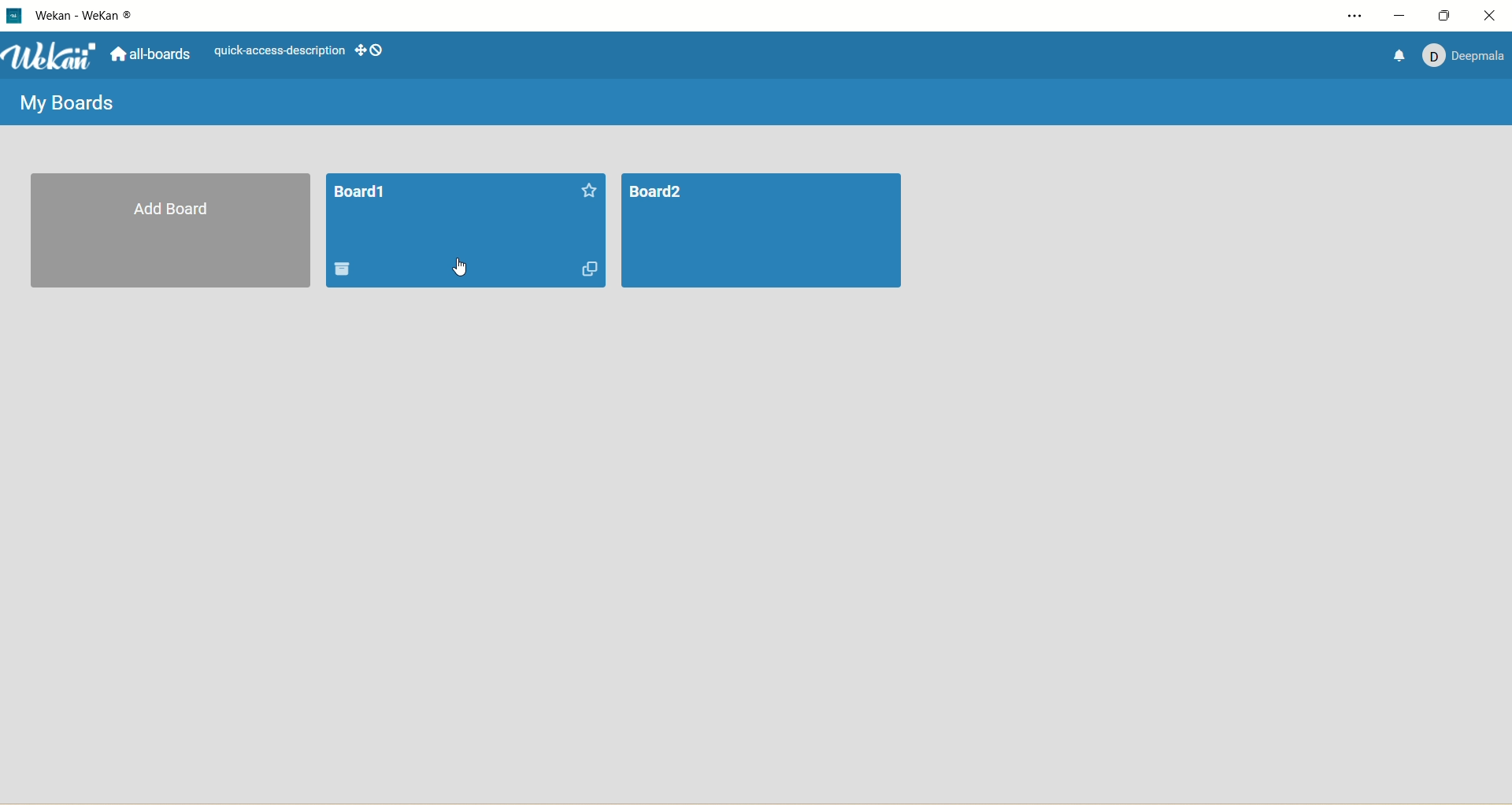 This screenshot has height=805, width=1512. Describe the element at coordinates (13, 17) in the screenshot. I see `logo` at that location.